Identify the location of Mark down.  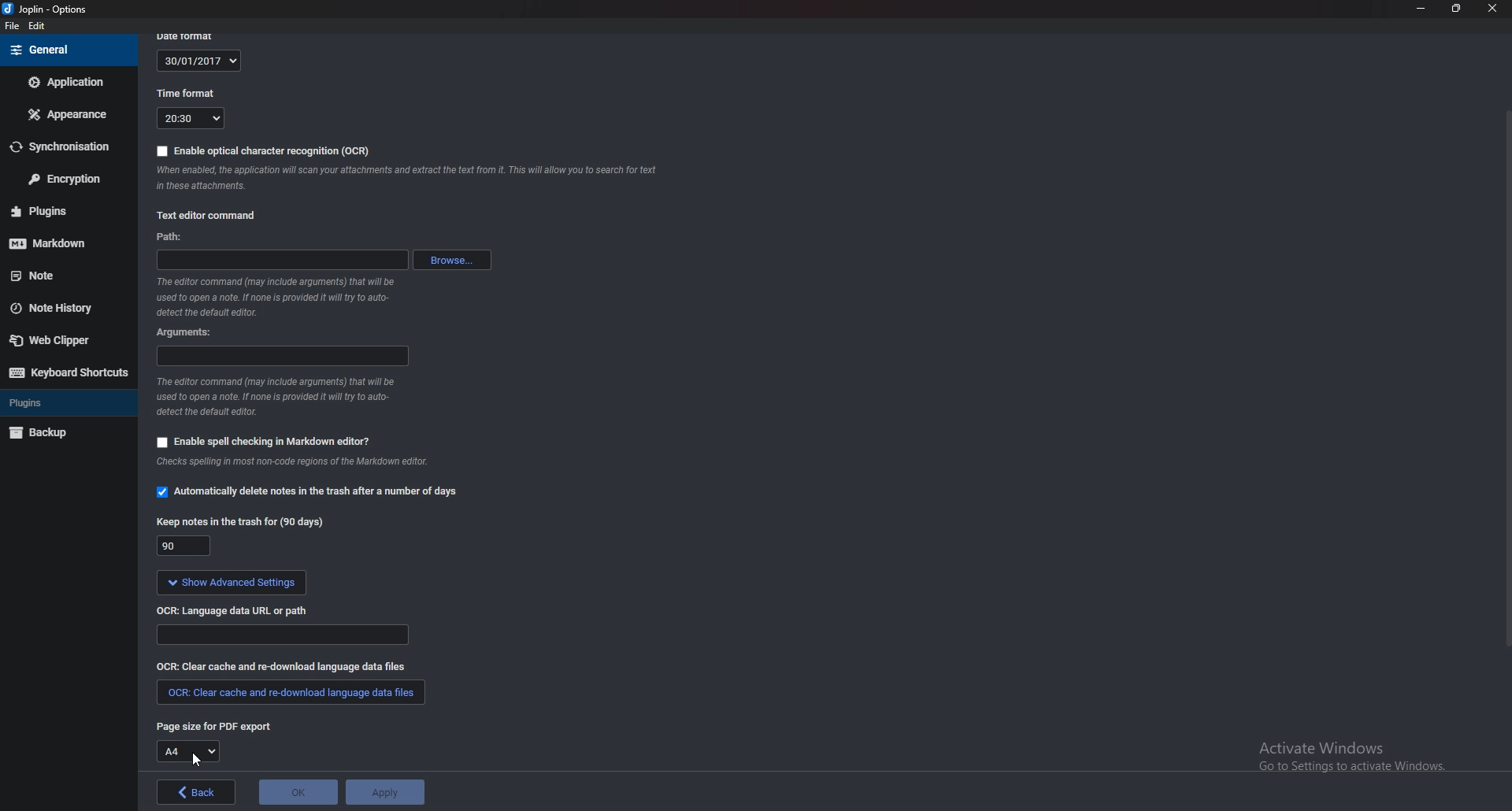
(59, 243).